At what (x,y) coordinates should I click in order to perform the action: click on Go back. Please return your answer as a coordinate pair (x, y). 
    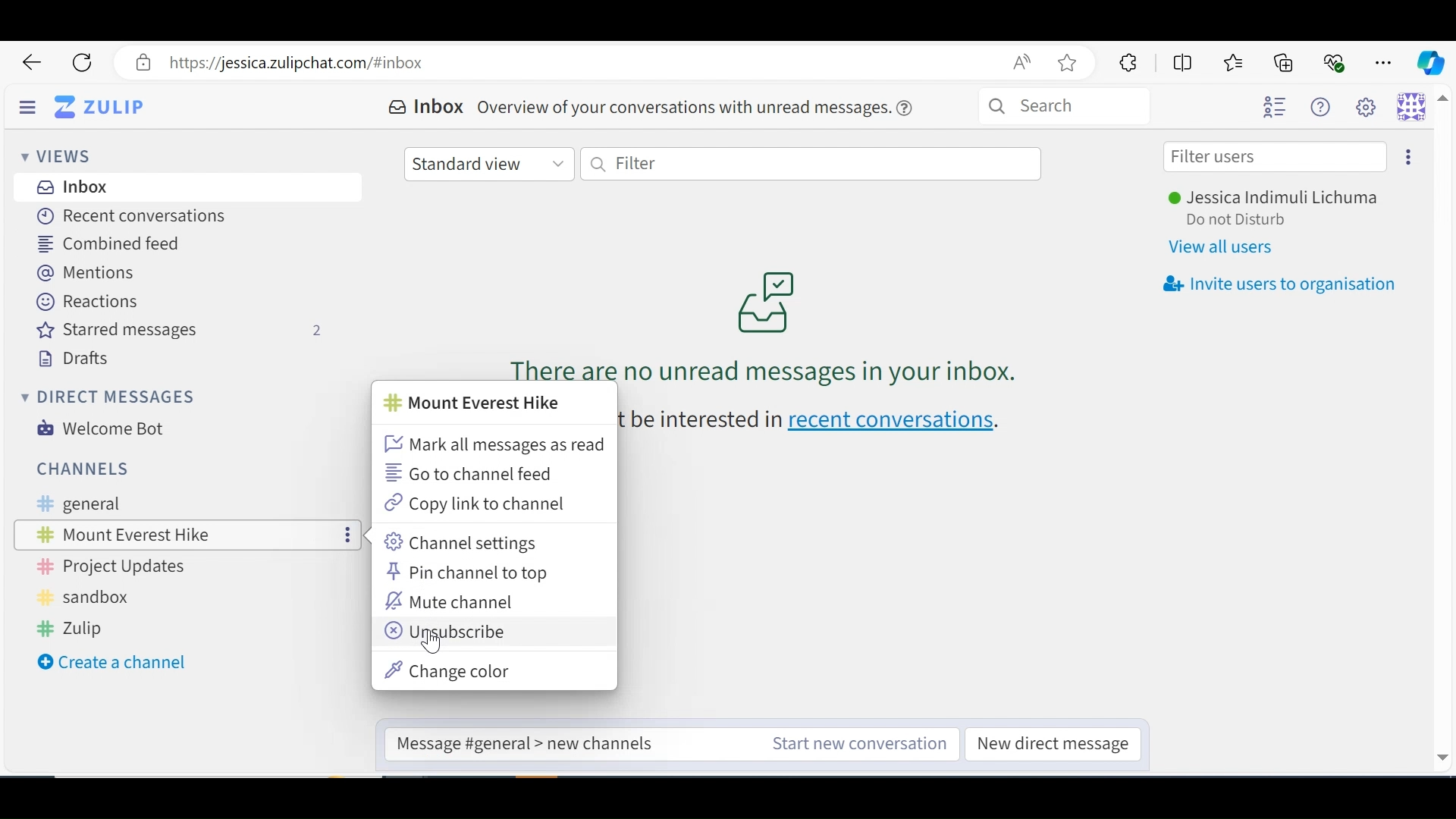
    Looking at the image, I should click on (33, 63).